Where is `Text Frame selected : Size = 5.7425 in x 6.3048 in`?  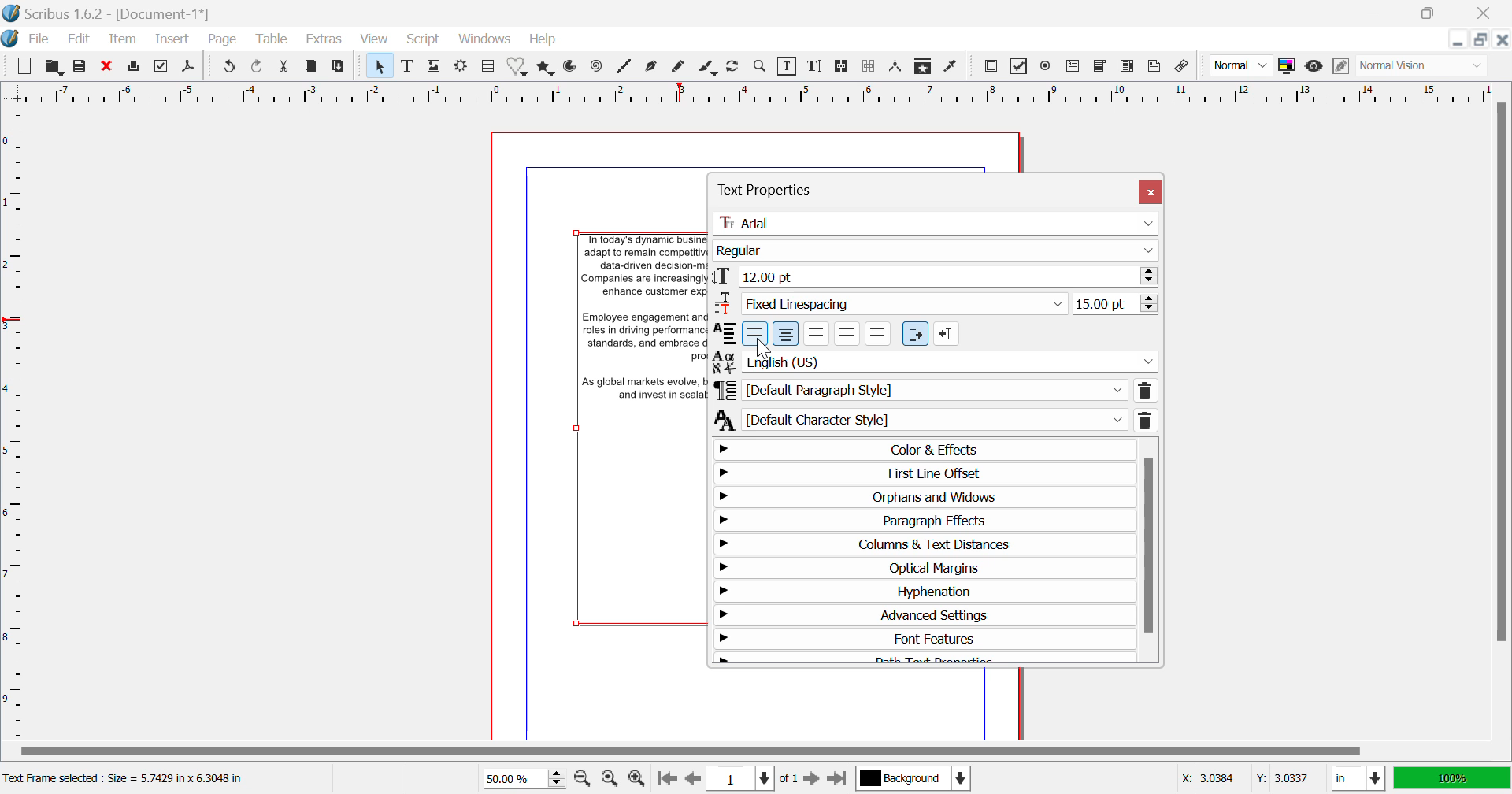 Text Frame selected : Size = 5.7425 in x 6.3048 in is located at coordinates (128, 780).